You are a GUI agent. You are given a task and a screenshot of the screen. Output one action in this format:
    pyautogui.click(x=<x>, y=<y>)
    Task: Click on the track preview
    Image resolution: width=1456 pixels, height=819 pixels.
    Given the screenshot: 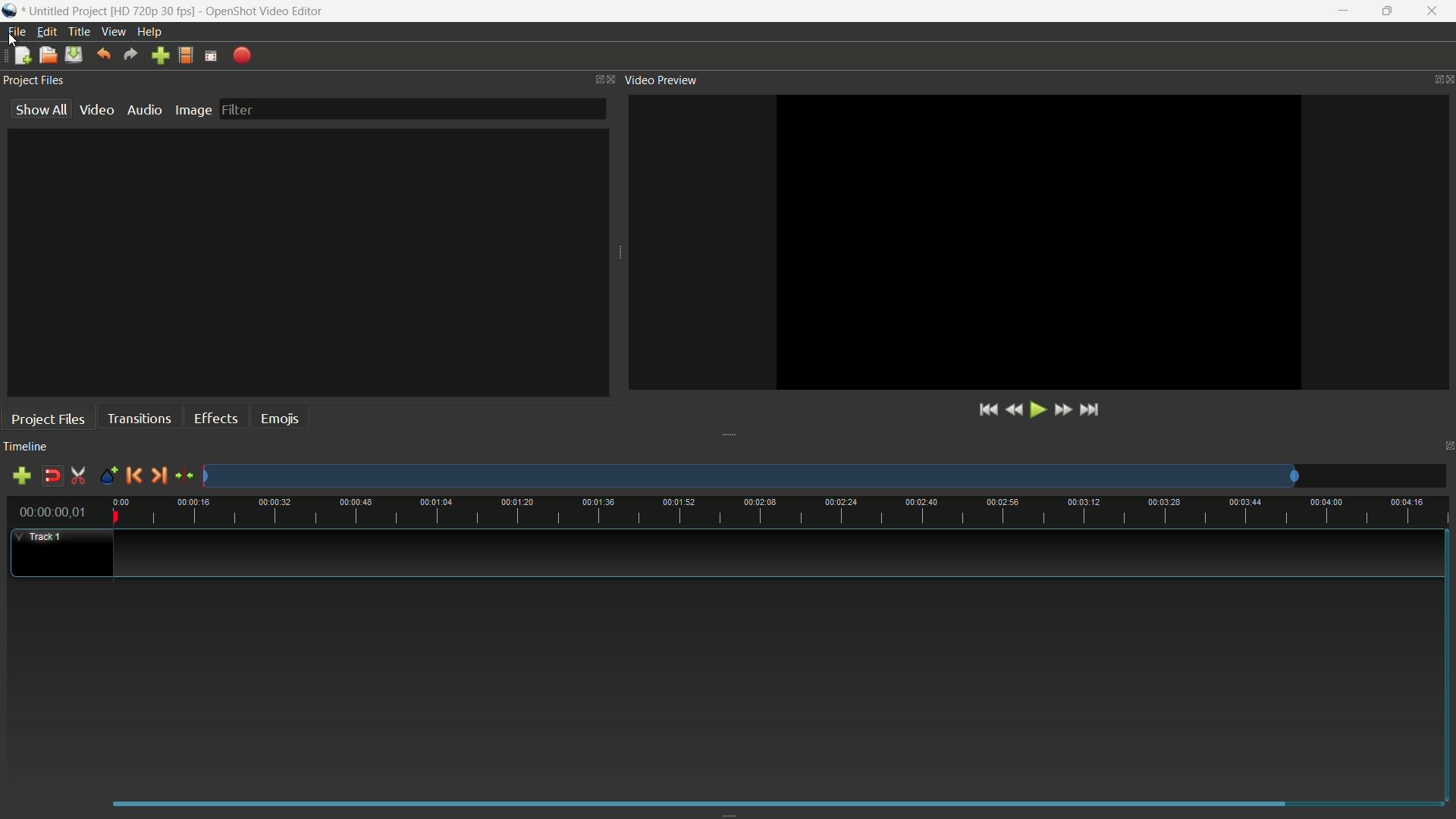 What is the action you would take?
    pyautogui.click(x=748, y=477)
    